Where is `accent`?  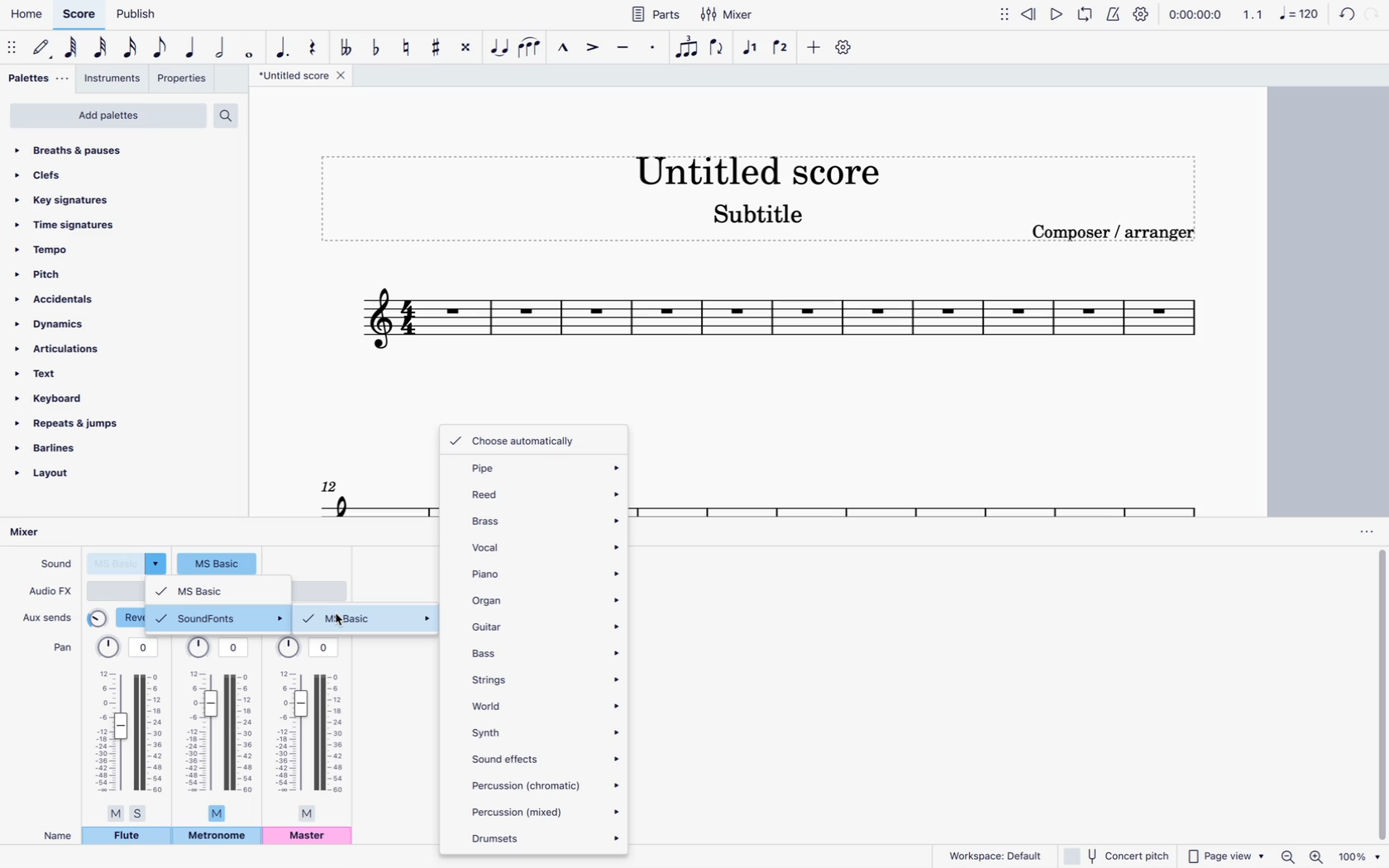
accent is located at coordinates (590, 47).